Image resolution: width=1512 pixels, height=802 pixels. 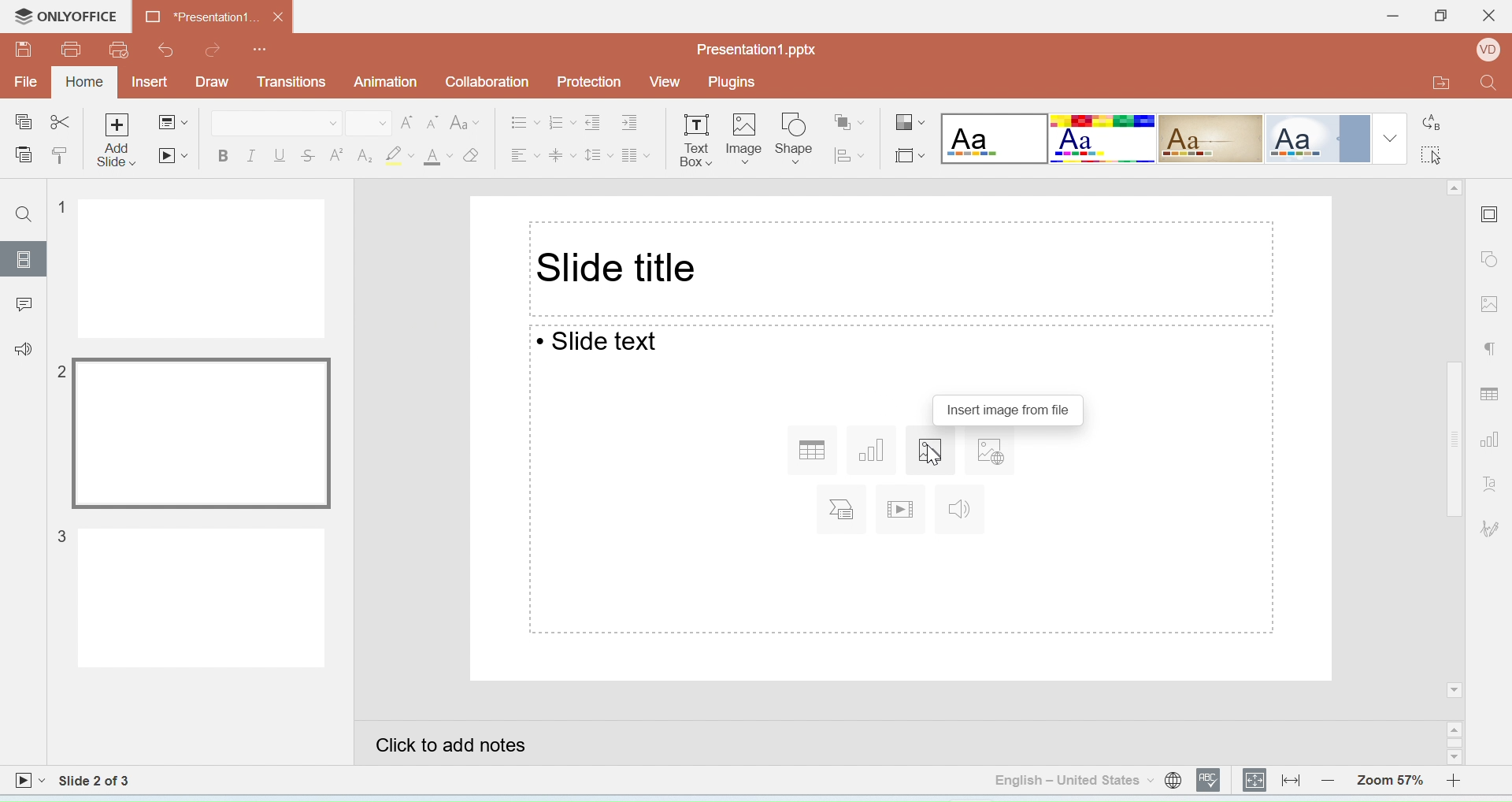 What do you see at coordinates (212, 83) in the screenshot?
I see `Draw` at bounding box center [212, 83].